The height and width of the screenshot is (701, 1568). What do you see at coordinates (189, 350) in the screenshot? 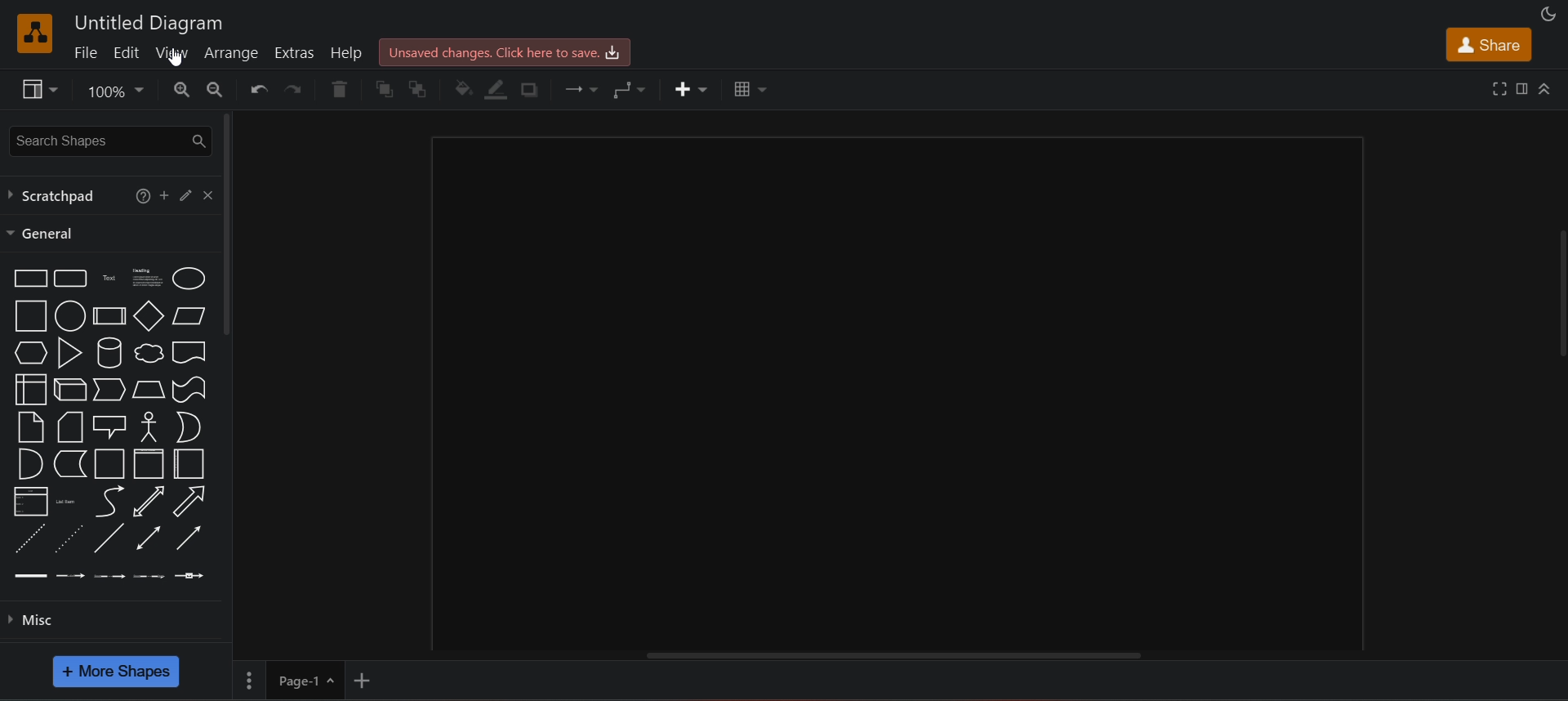
I see `document` at bounding box center [189, 350].